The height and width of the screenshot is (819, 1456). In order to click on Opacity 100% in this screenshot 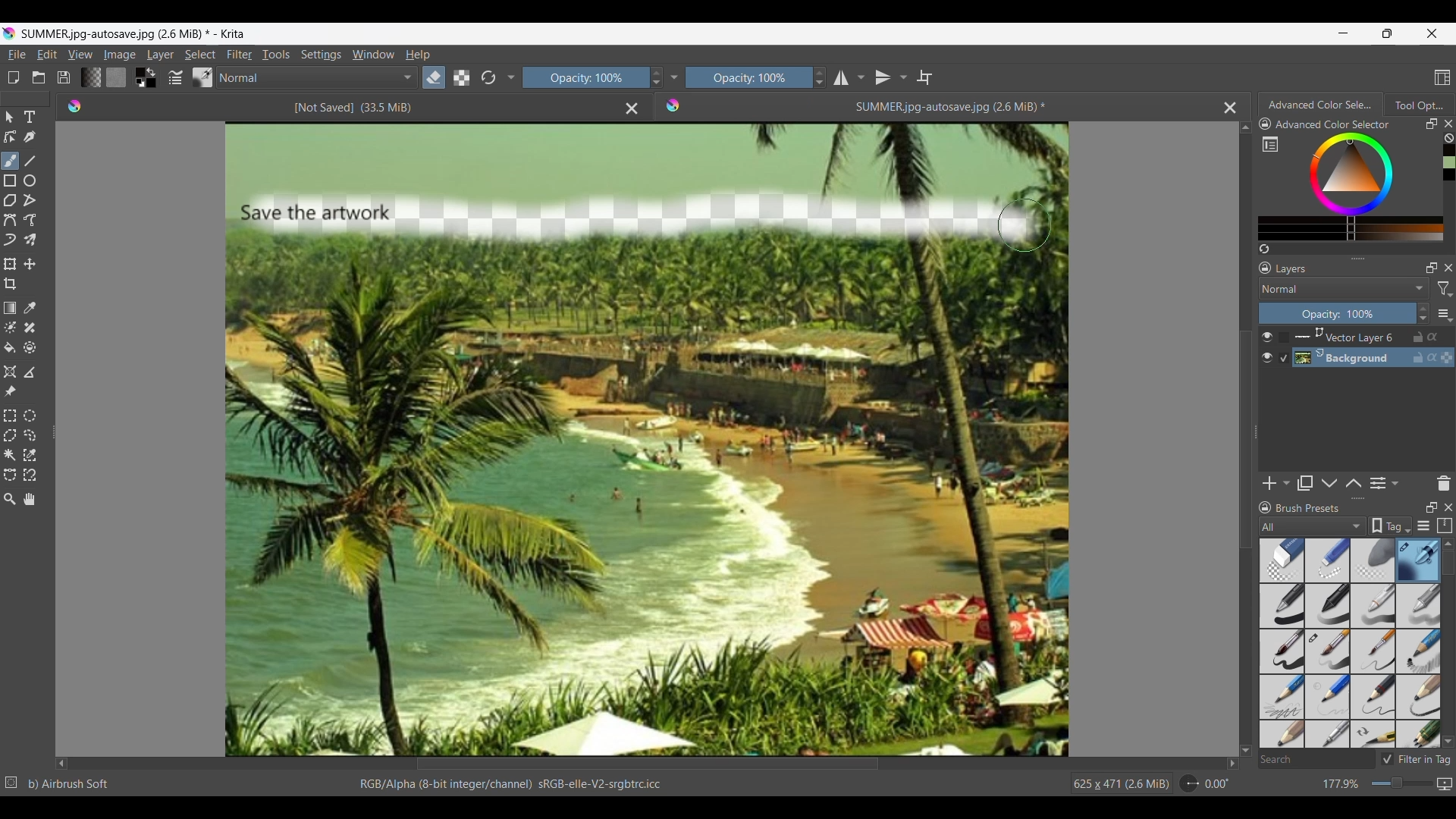, I will do `click(1337, 314)`.